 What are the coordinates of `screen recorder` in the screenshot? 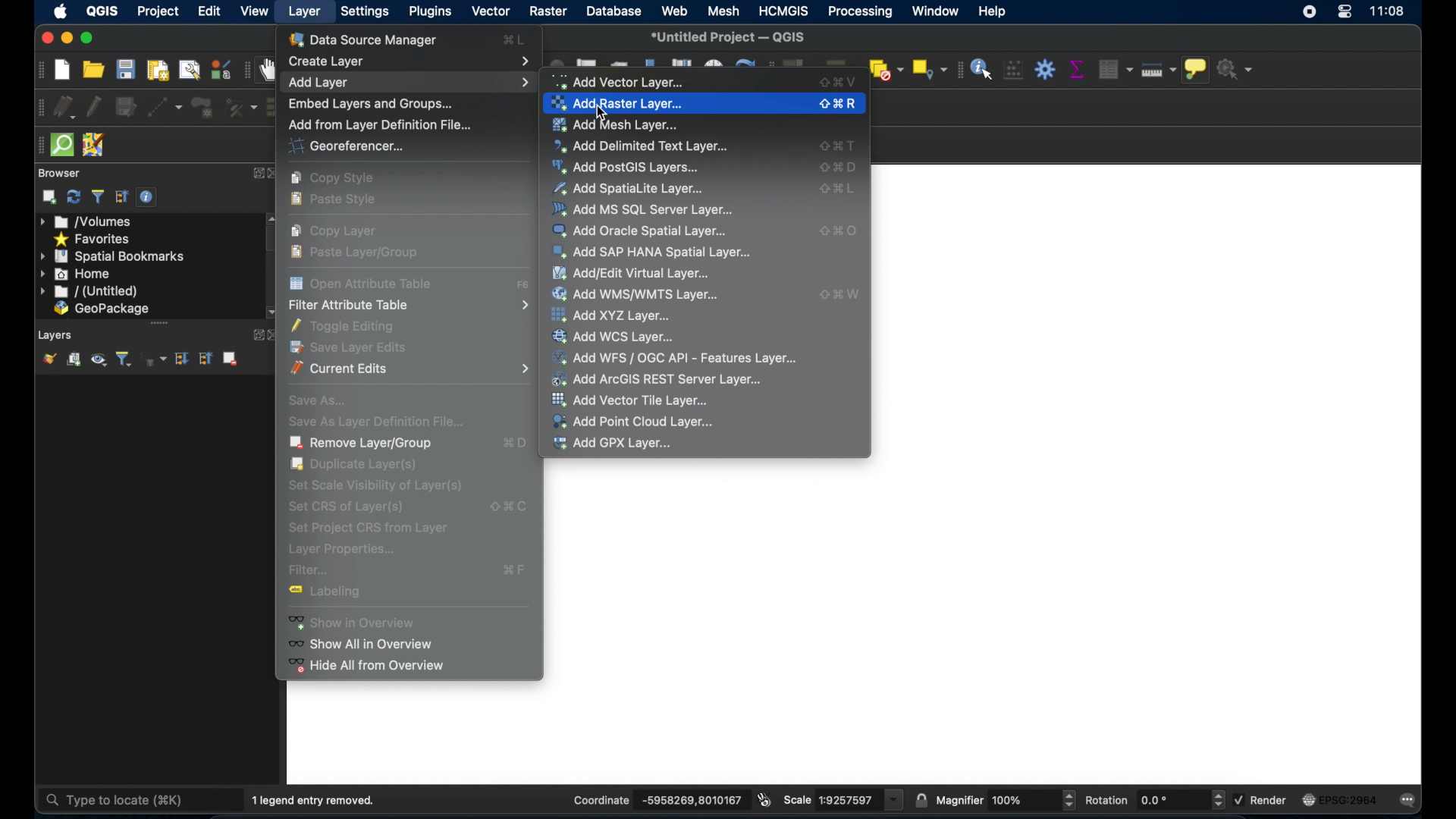 It's located at (1311, 14).